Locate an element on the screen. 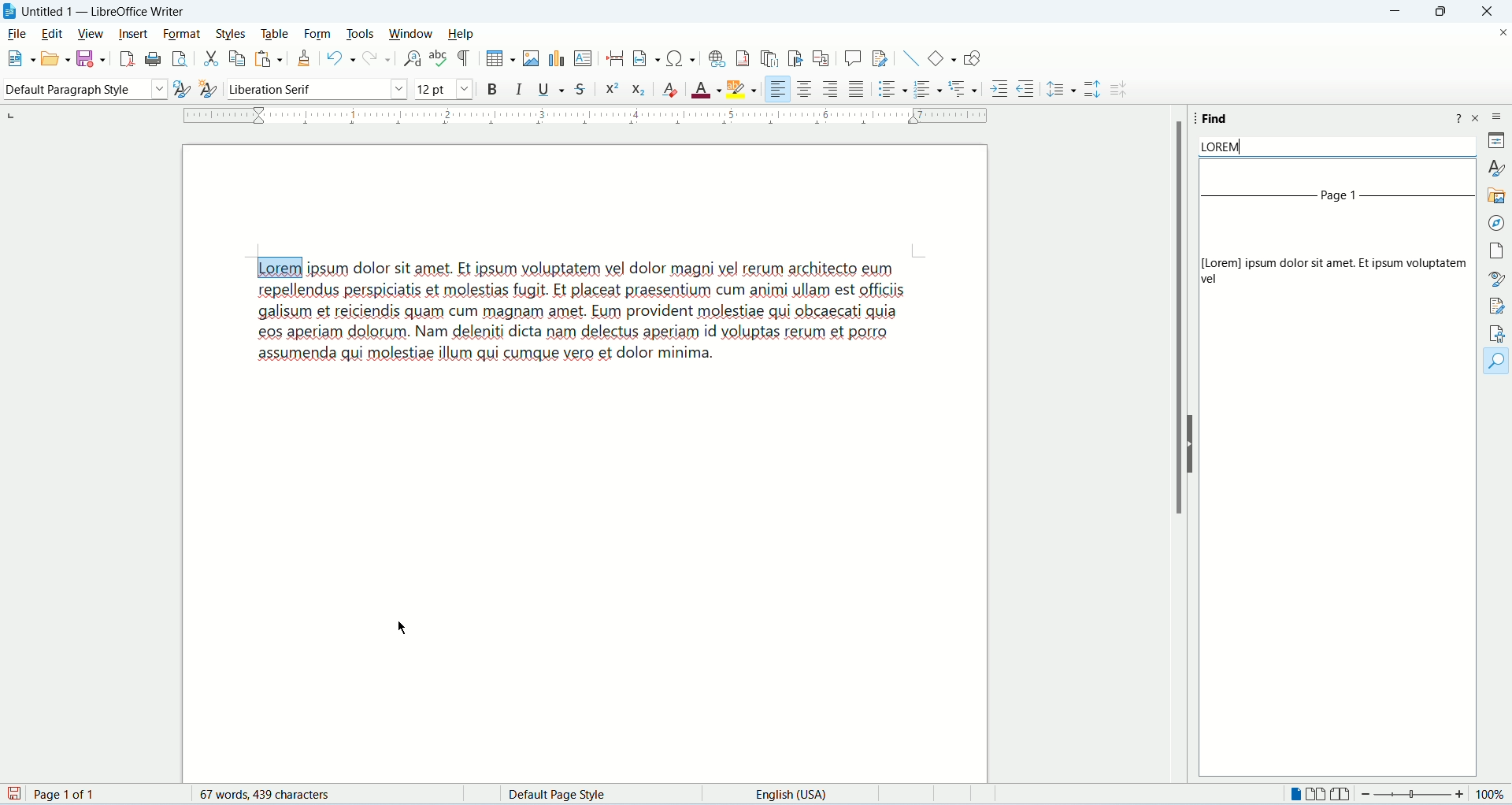 The image size is (1512, 805). view is located at coordinates (89, 32).